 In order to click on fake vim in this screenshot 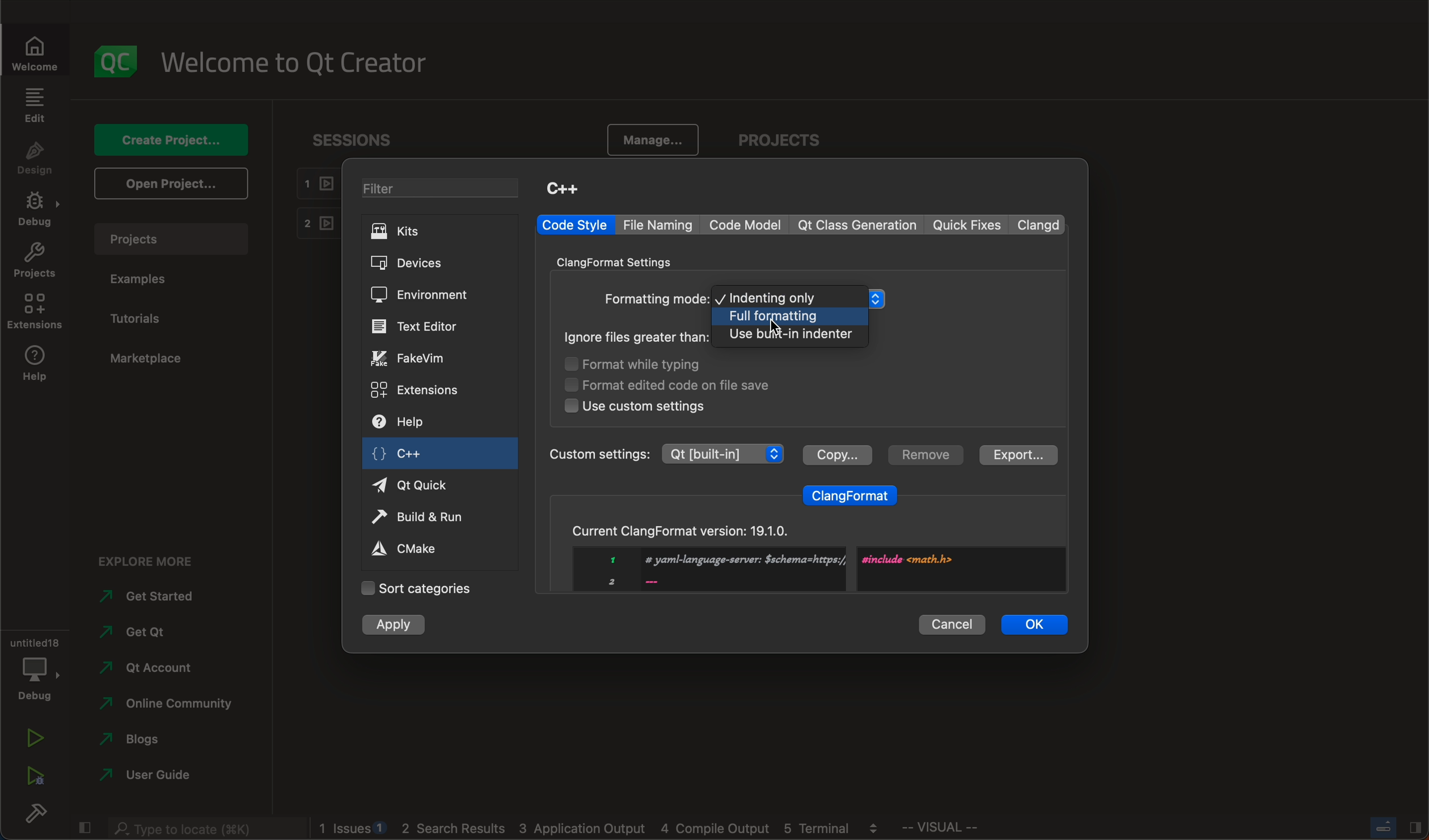, I will do `click(420, 358)`.